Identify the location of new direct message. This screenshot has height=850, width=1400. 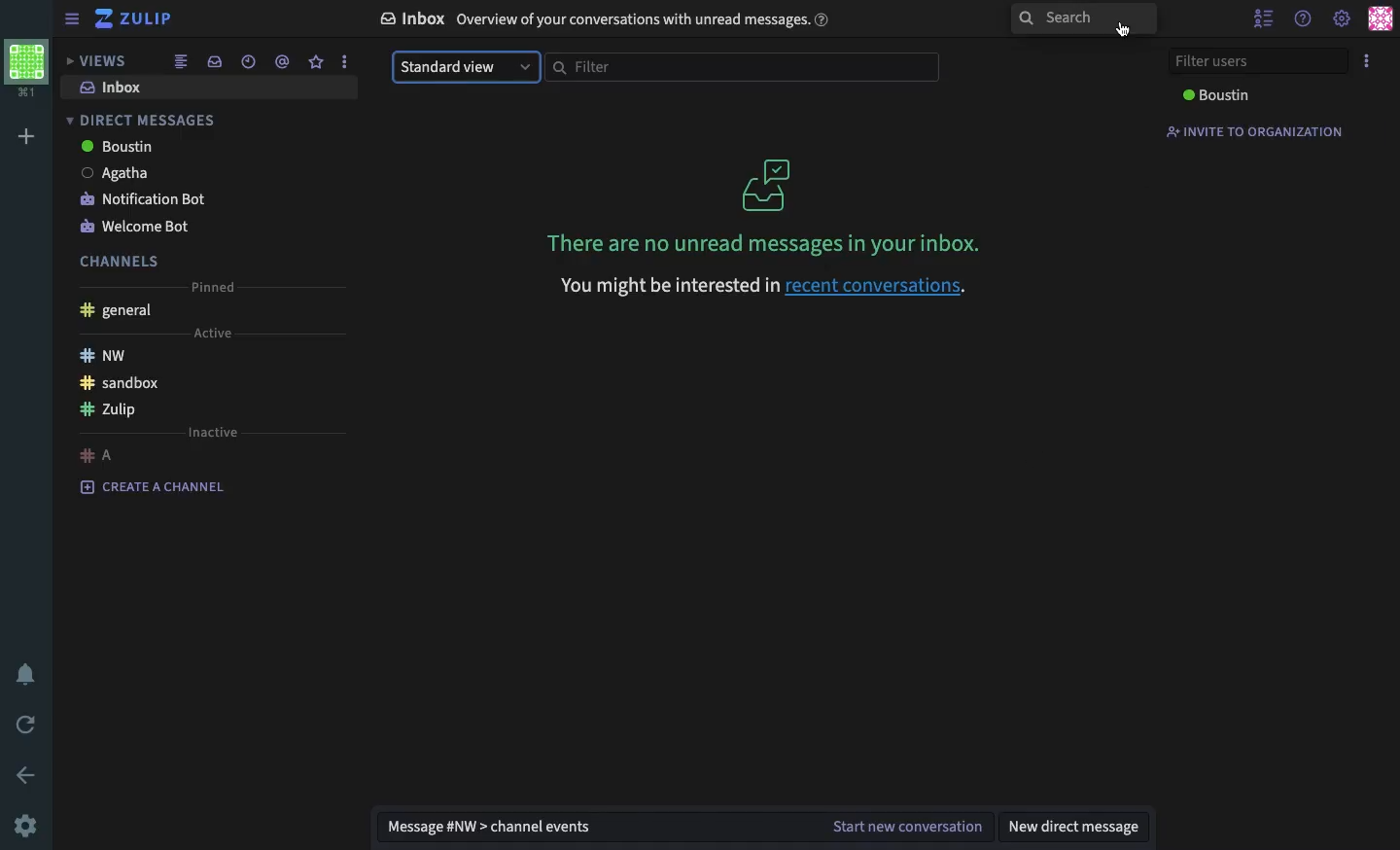
(1077, 827).